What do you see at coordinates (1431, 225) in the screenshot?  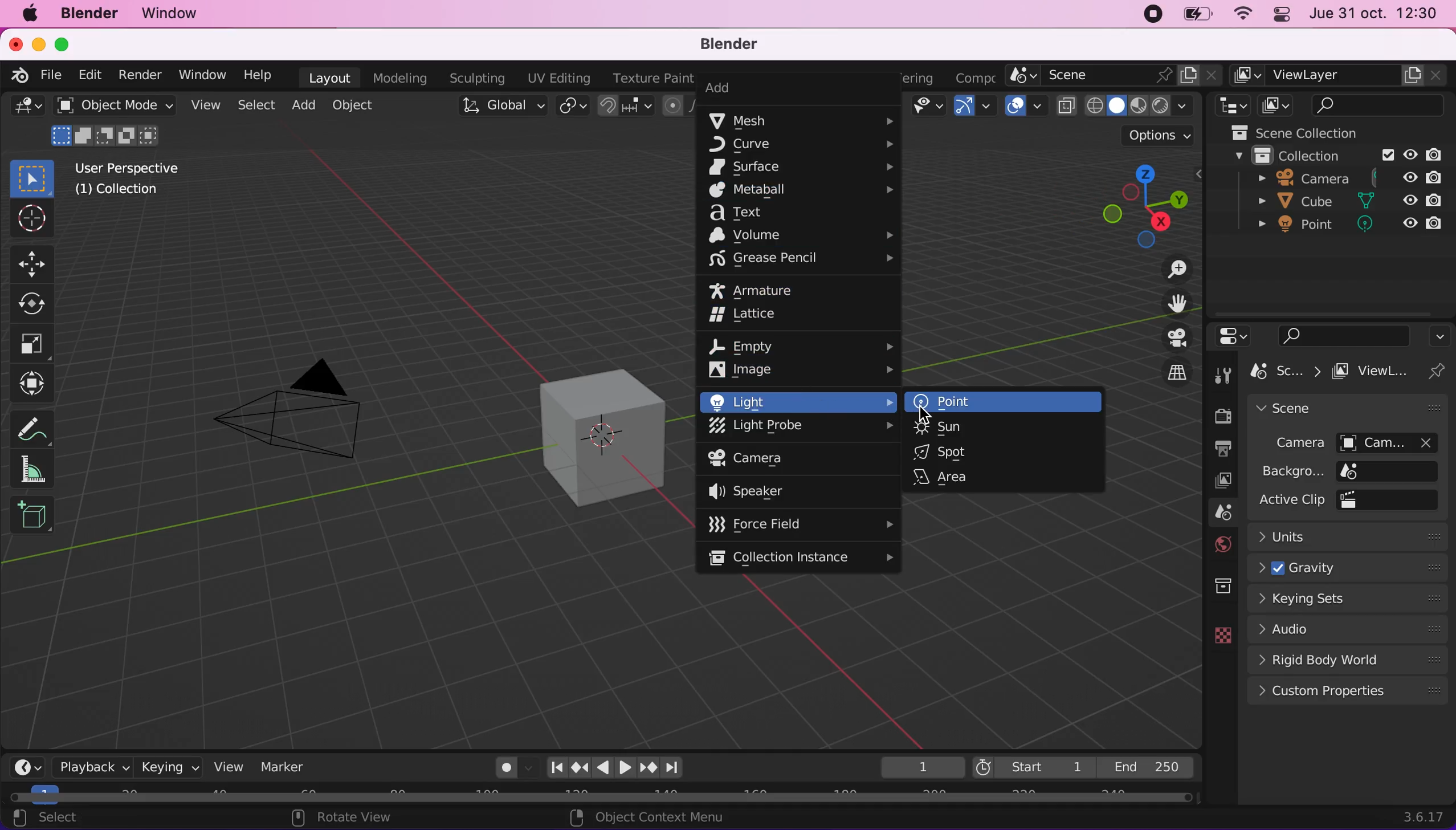 I see `disable in renders` at bounding box center [1431, 225].